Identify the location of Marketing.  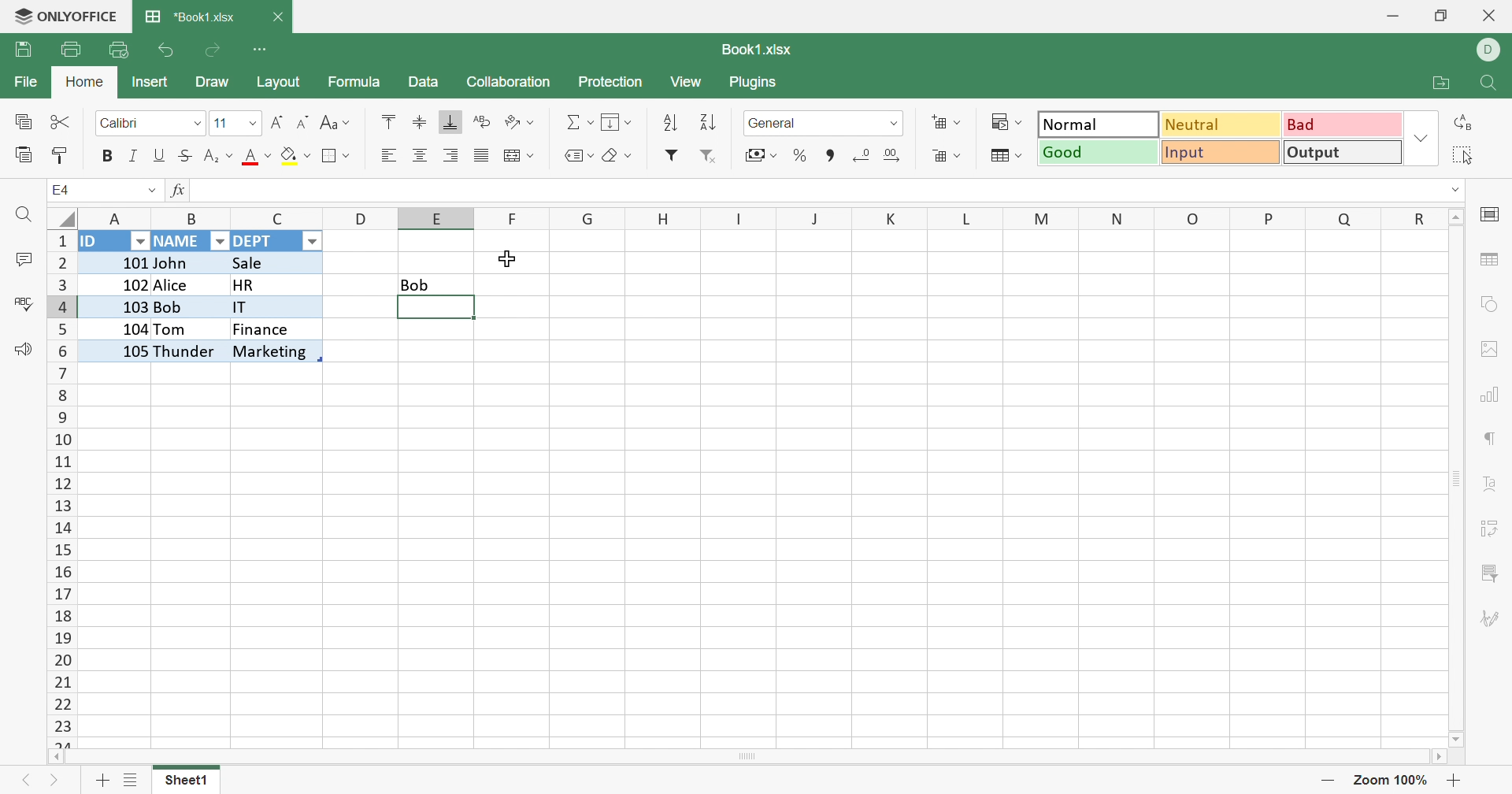
(271, 351).